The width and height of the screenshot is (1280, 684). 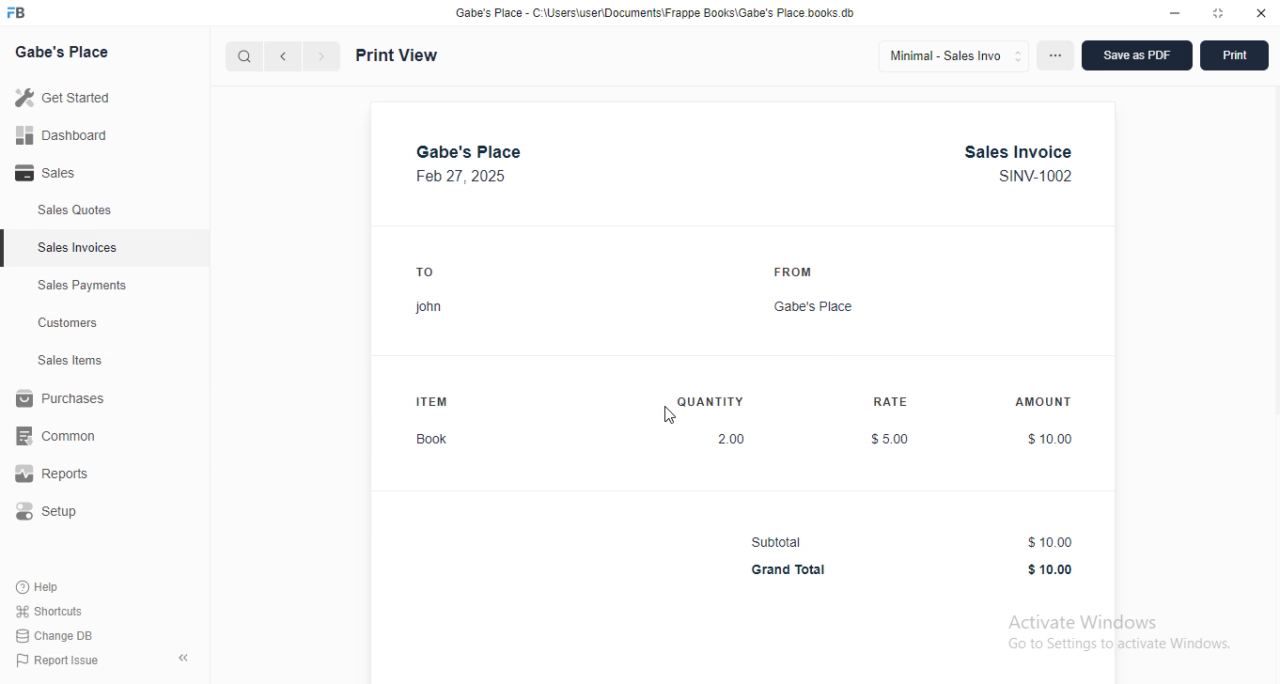 What do you see at coordinates (322, 56) in the screenshot?
I see `next` at bounding box center [322, 56].